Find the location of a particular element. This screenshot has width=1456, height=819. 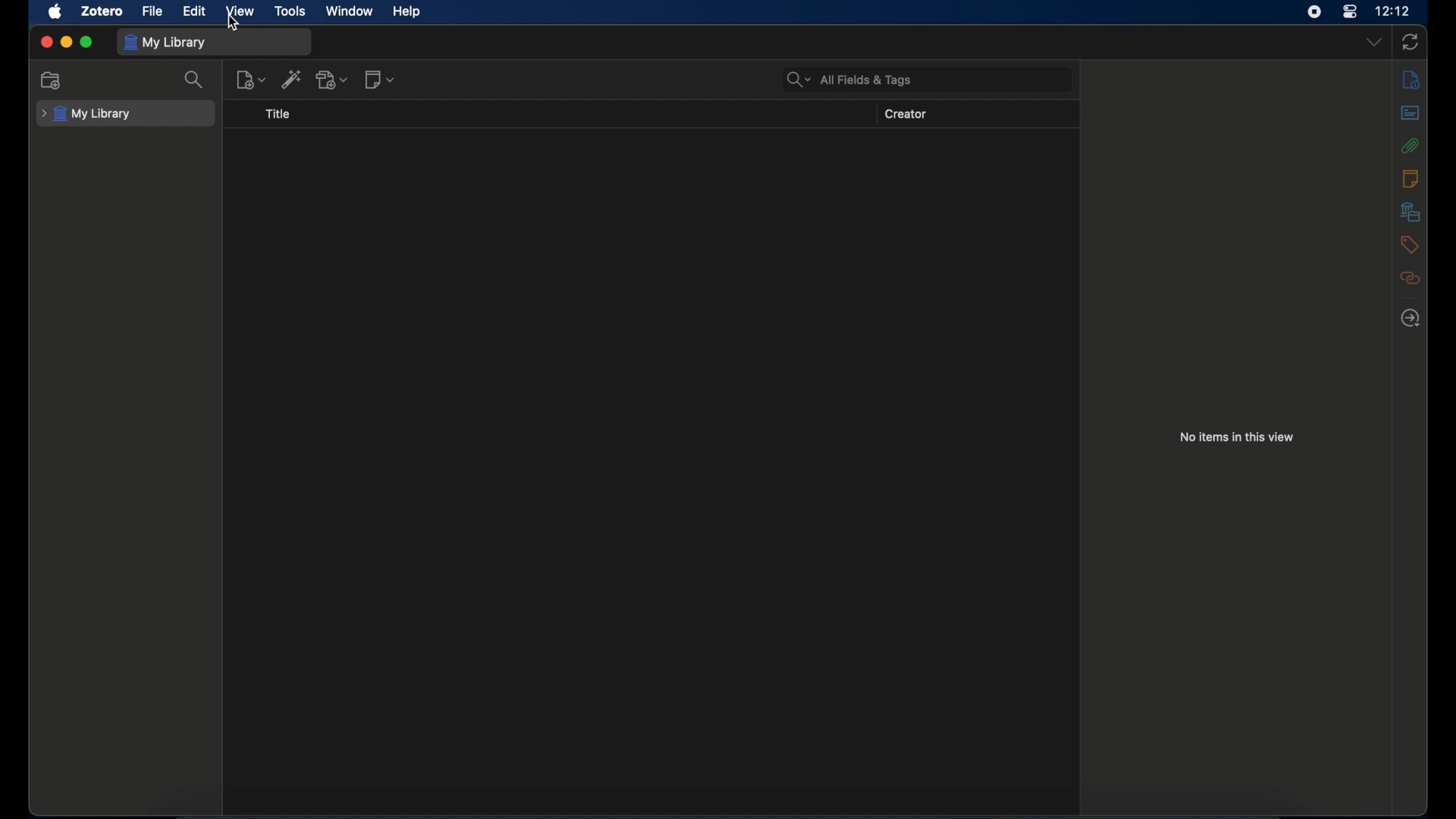

my library is located at coordinates (86, 115).